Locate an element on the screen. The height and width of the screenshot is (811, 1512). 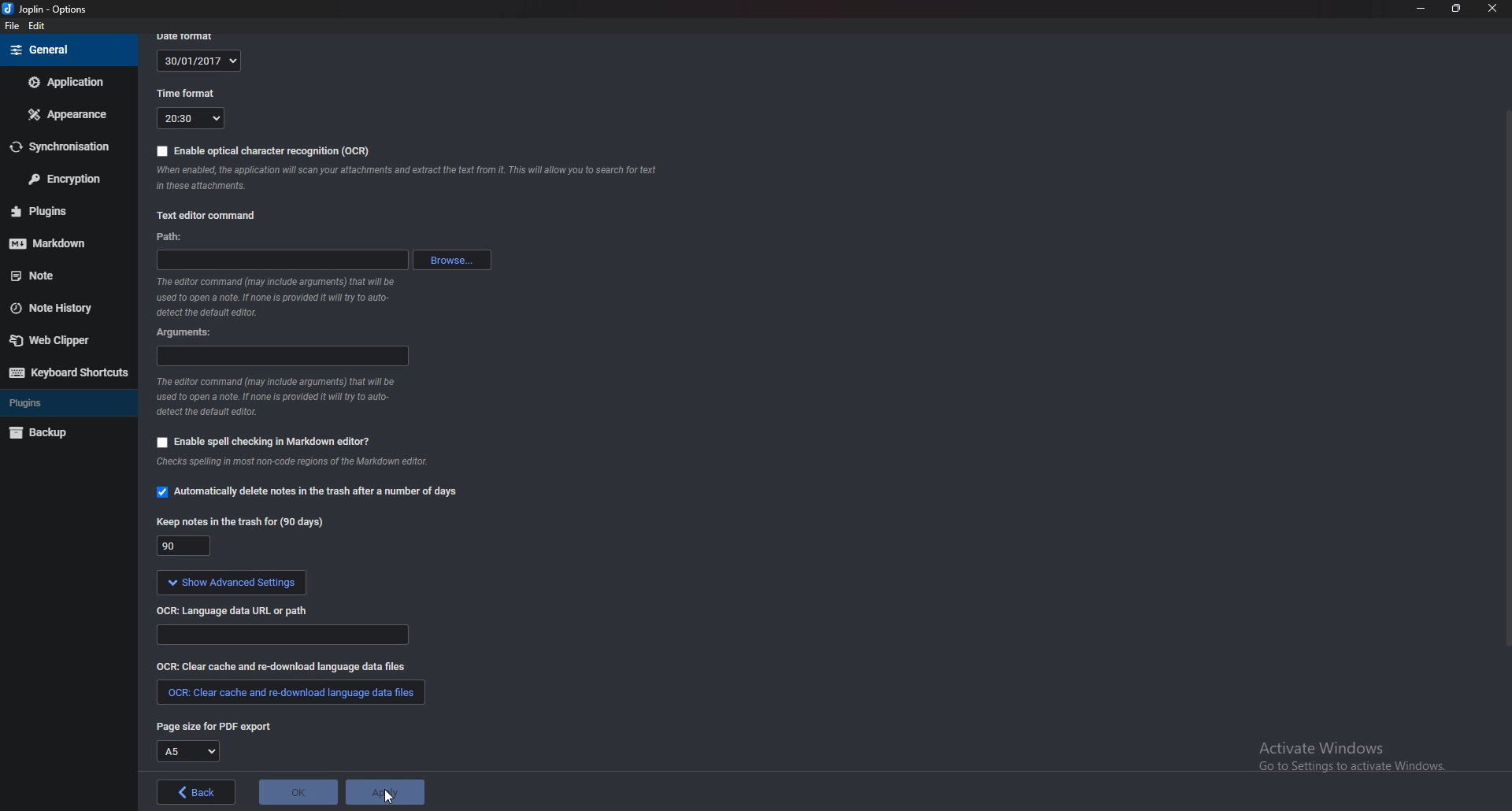
Text editor command is located at coordinates (209, 216).